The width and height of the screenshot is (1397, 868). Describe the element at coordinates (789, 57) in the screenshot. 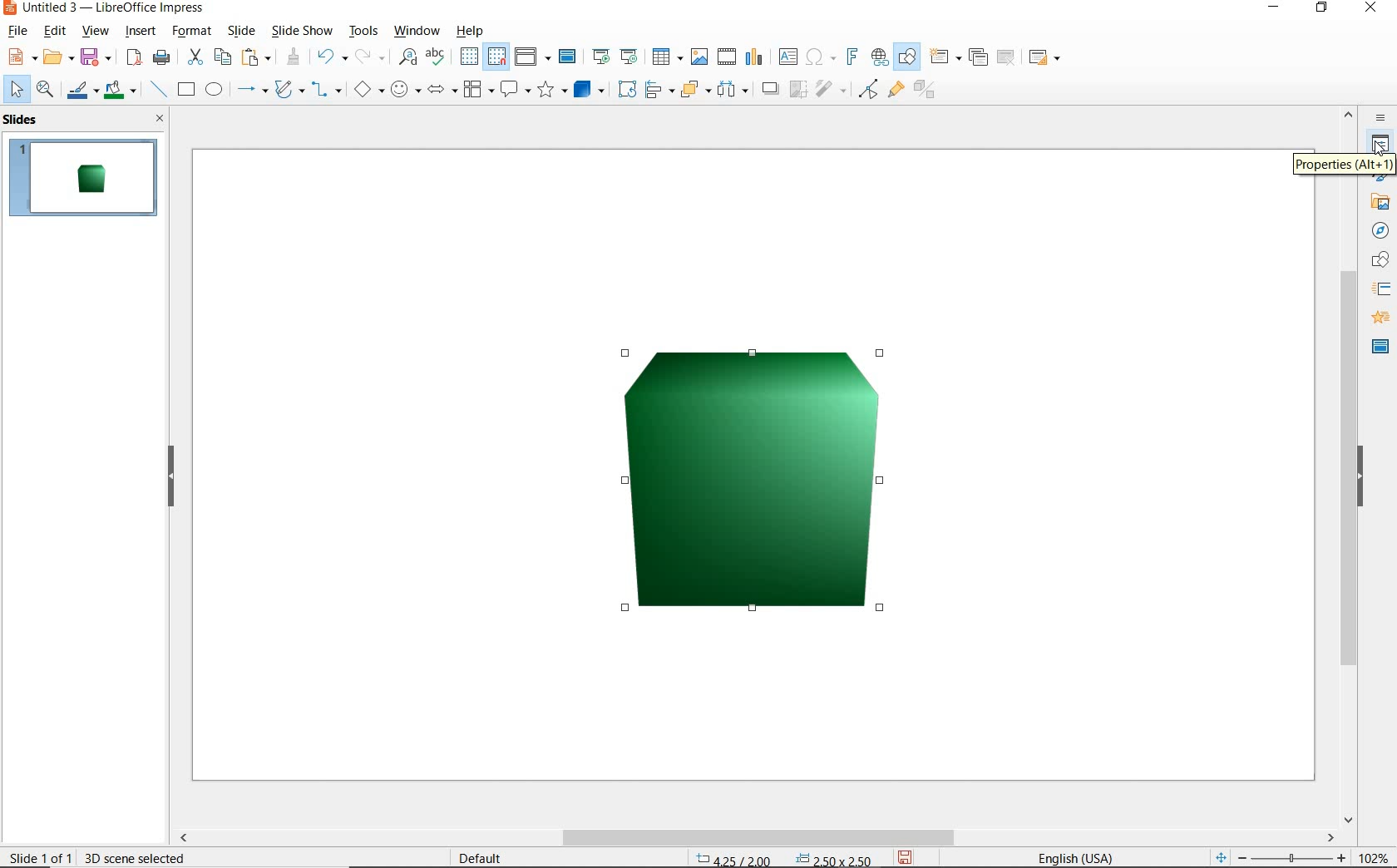

I see `insert text box` at that location.